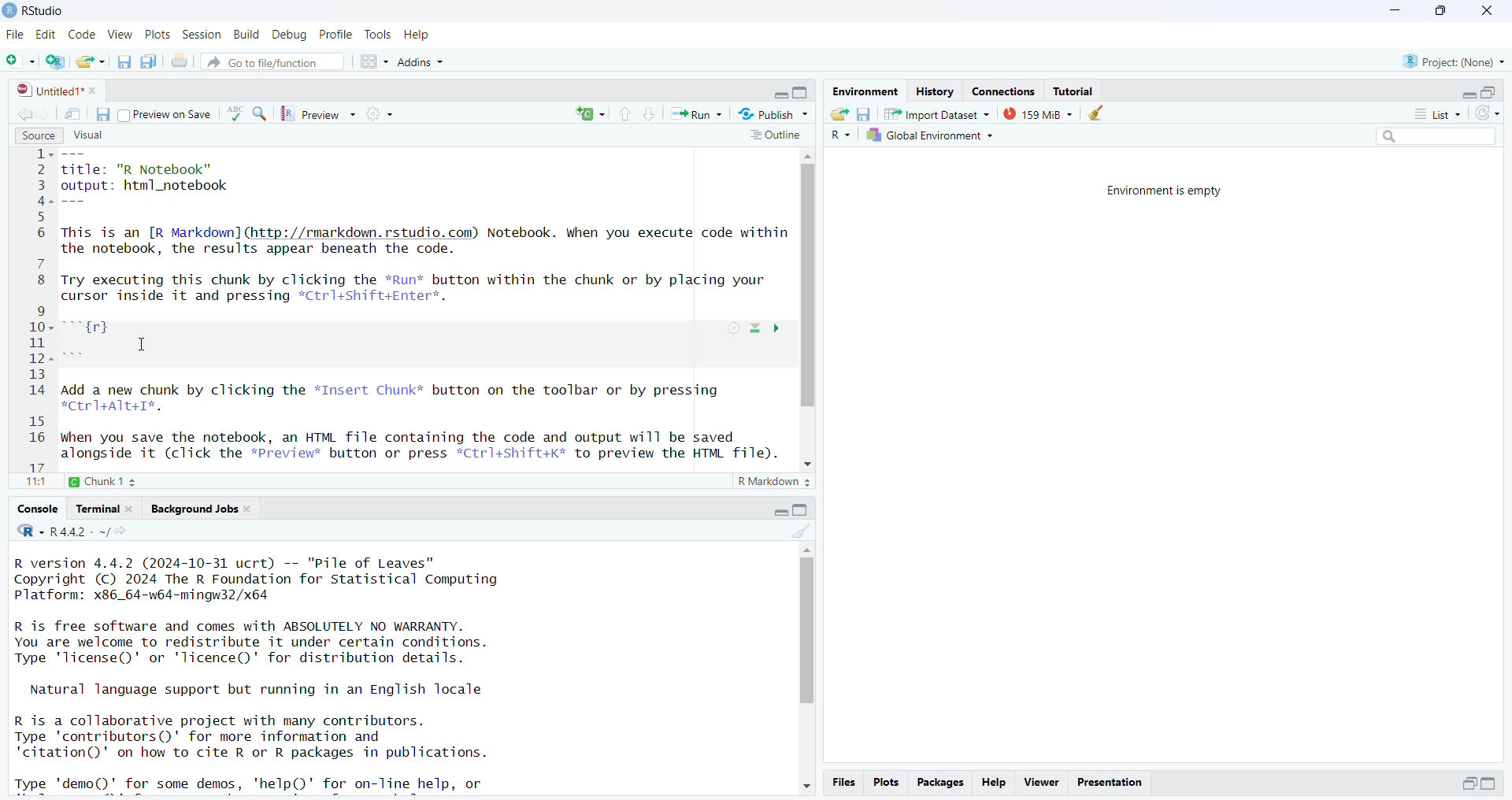 The image size is (1512, 800). I want to click on open an existing file, so click(91, 61).